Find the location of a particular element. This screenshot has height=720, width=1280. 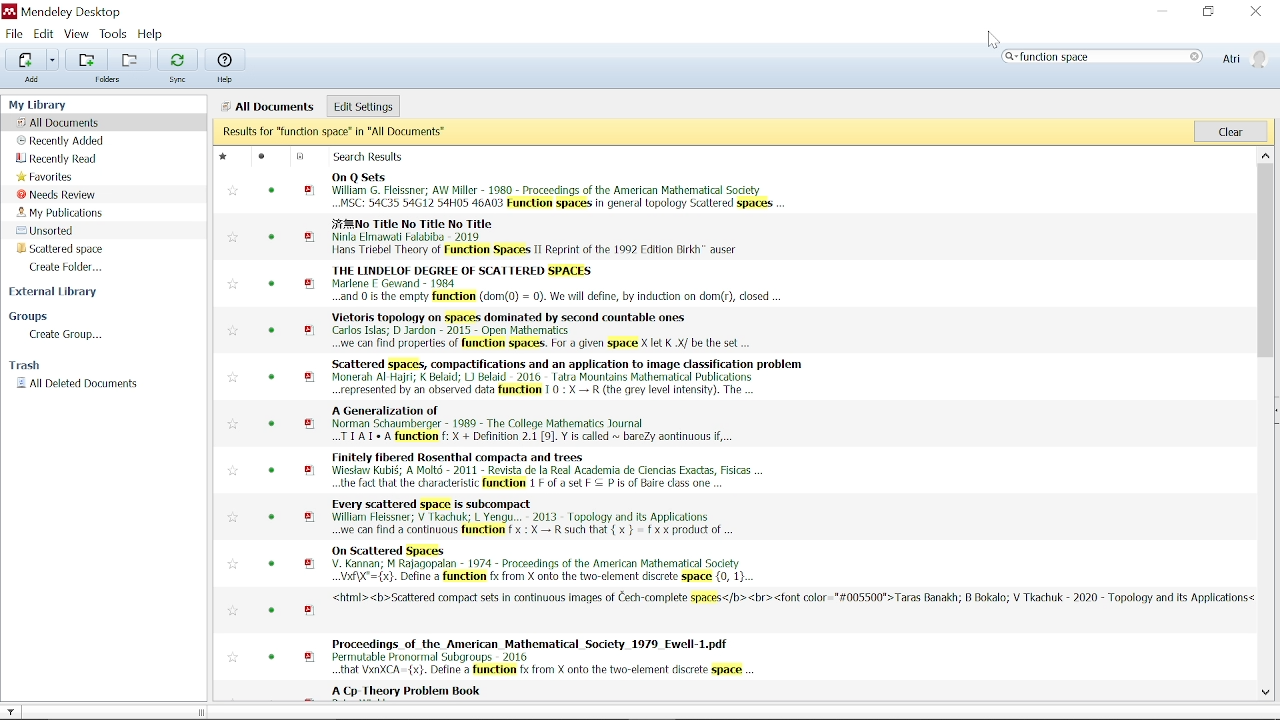

Every scattered space is subcompact William Fs Thad Yeh 2013  Toplogy and ts AppctonsTe con ind 2 Continous GHRION {+X = R eh Ho (x = rex product of is located at coordinates (756, 517).